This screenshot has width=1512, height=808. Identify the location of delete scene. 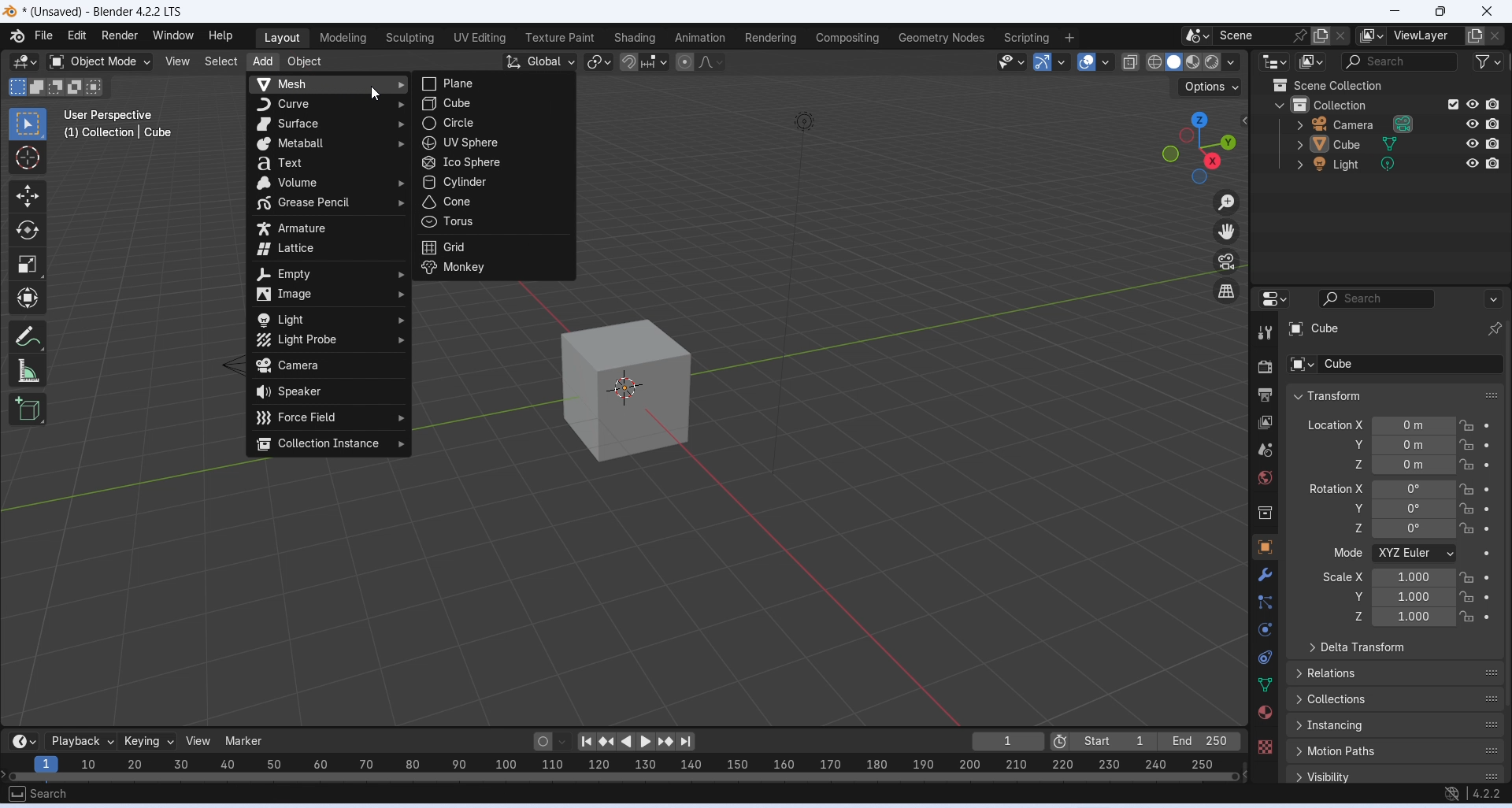
(1341, 35).